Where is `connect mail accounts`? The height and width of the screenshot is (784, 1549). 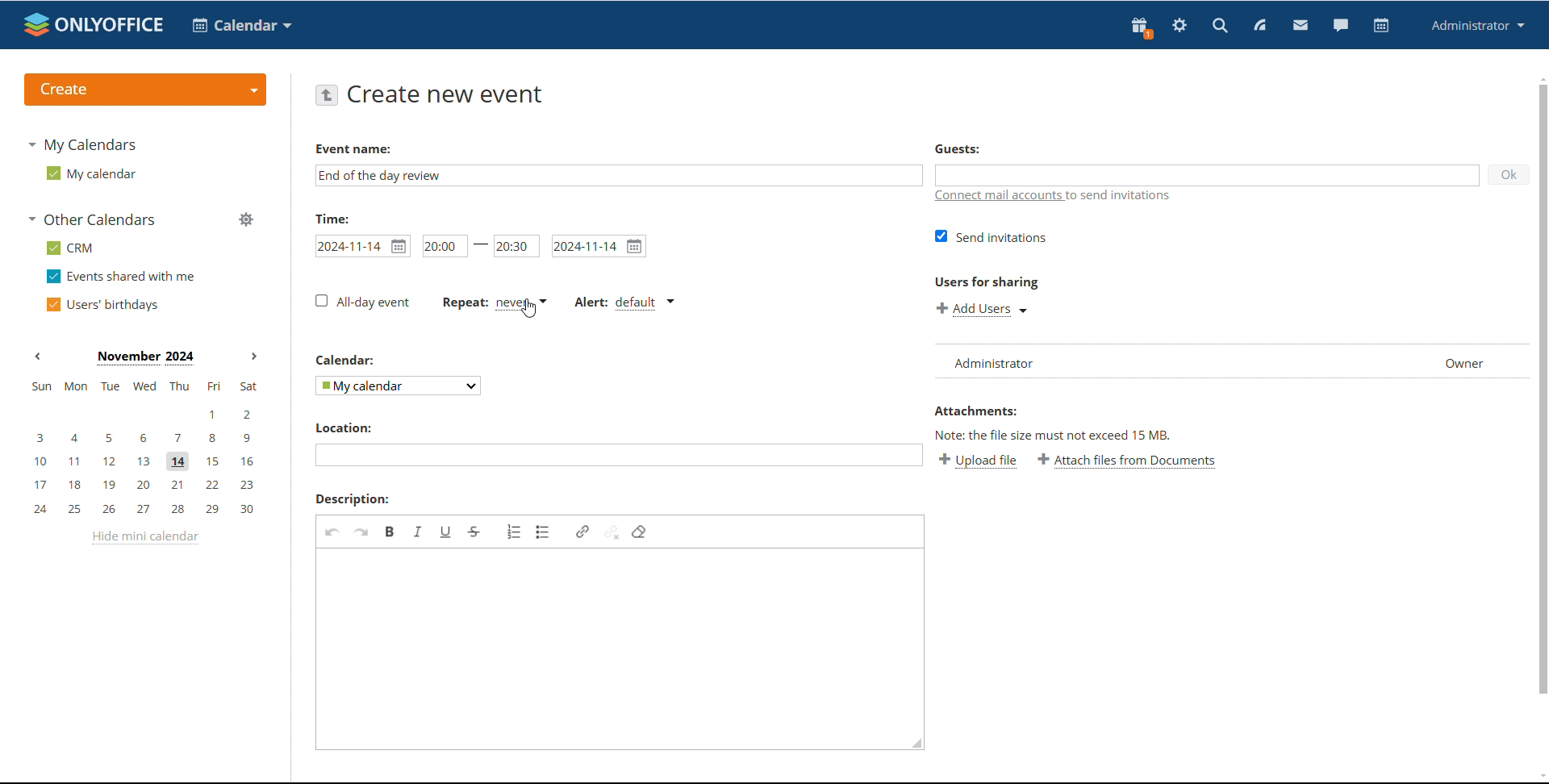
connect mail accounts is located at coordinates (1060, 197).